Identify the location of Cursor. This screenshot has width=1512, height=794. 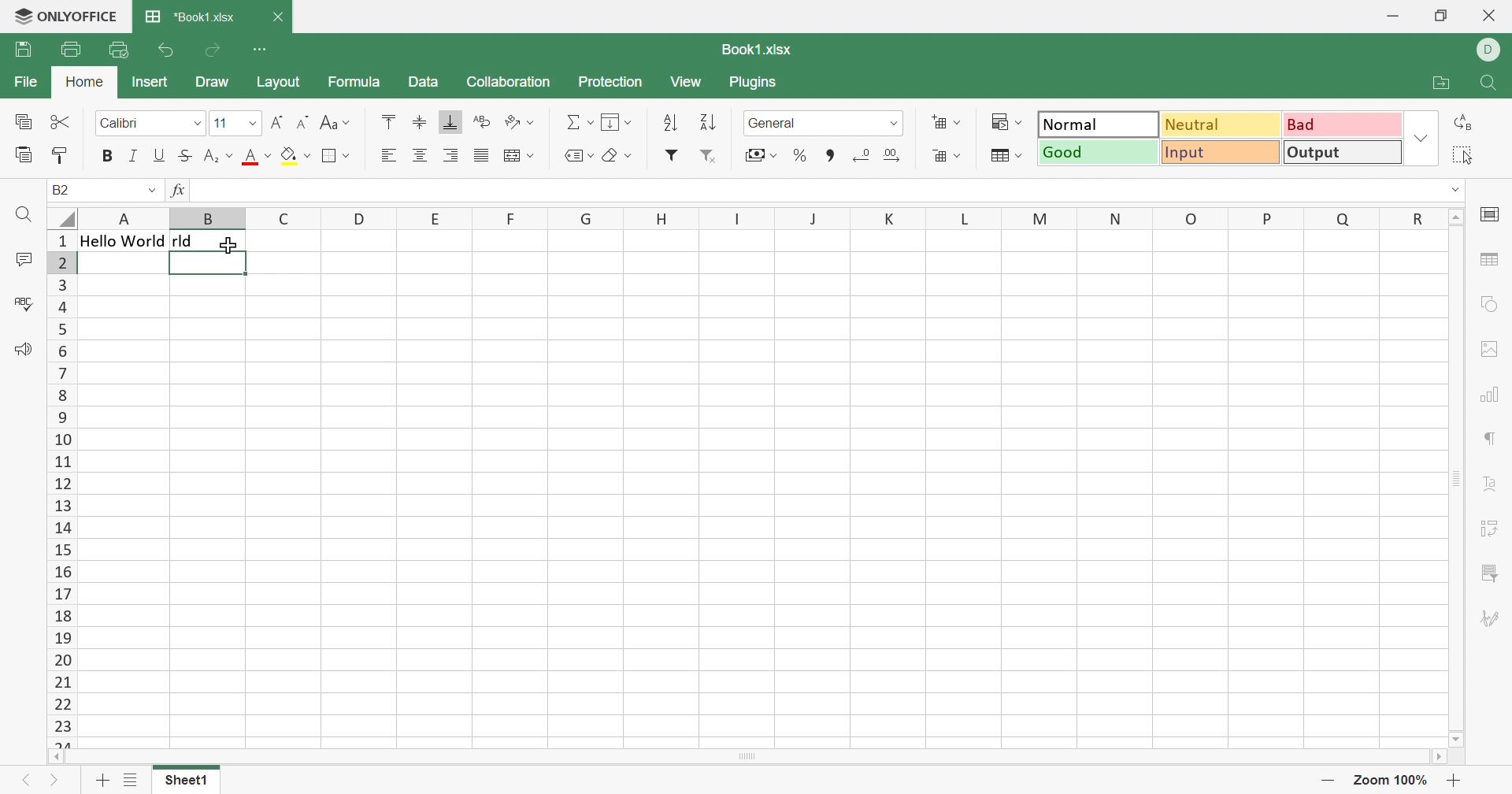
(228, 244).